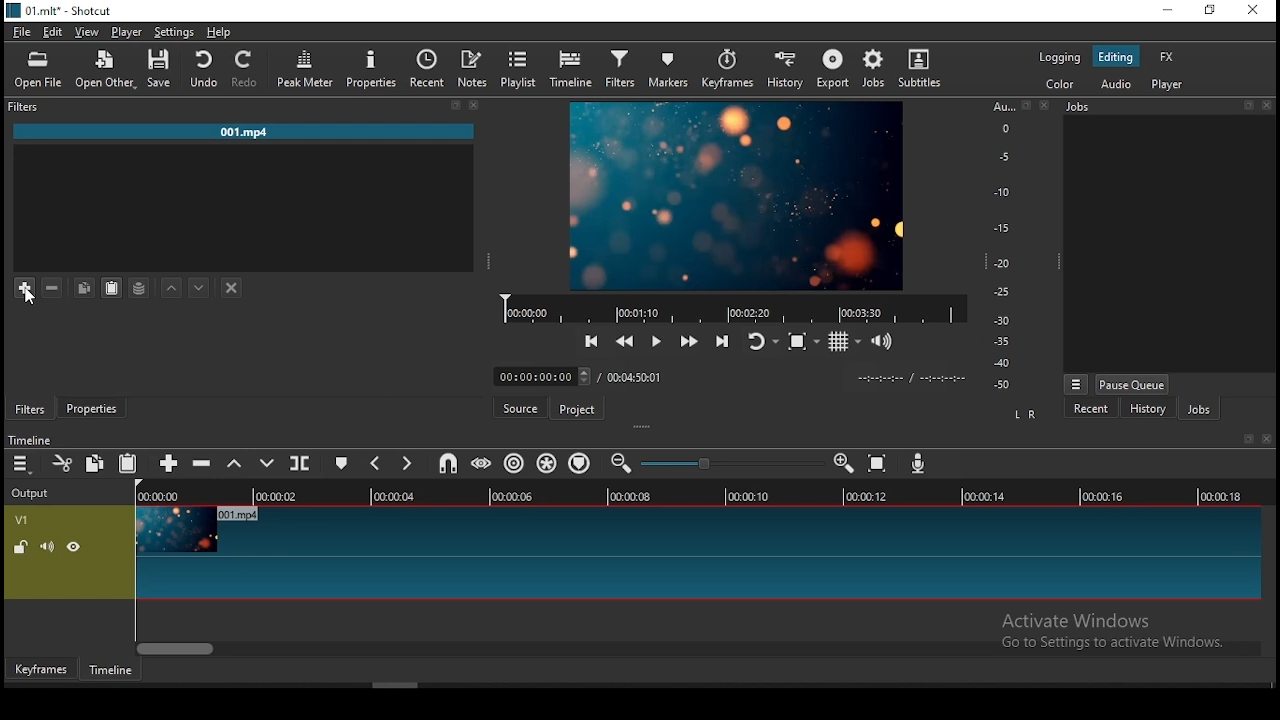 Image resolution: width=1280 pixels, height=720 pixels. What do you see at coordinates (1120, 84) in the screenshot?
I see `audio` at bounding box center [1120, 84].